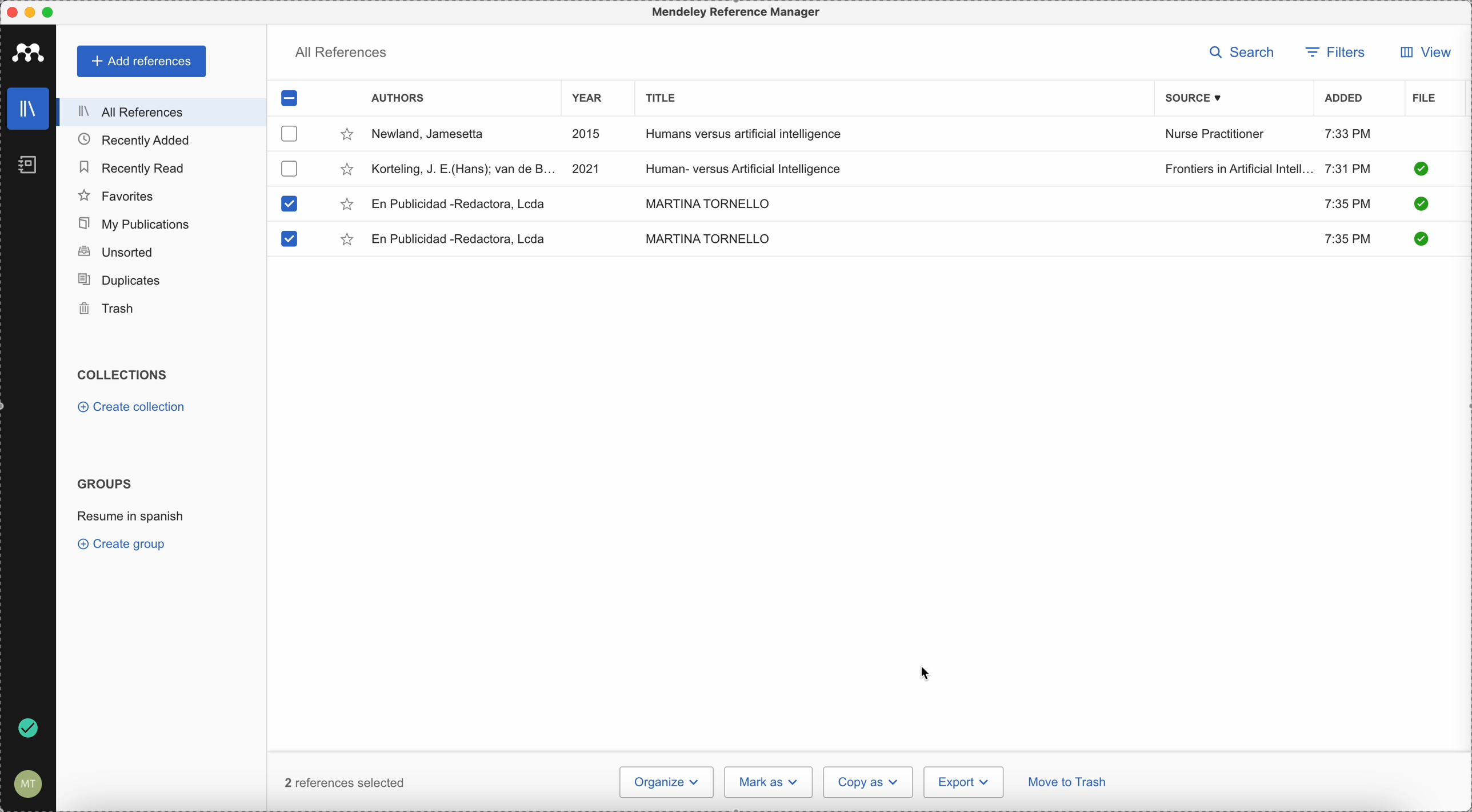  What do you see at coordinates (594, 100) in the screenshot?
I see `year` at bounding box center [594, 100].